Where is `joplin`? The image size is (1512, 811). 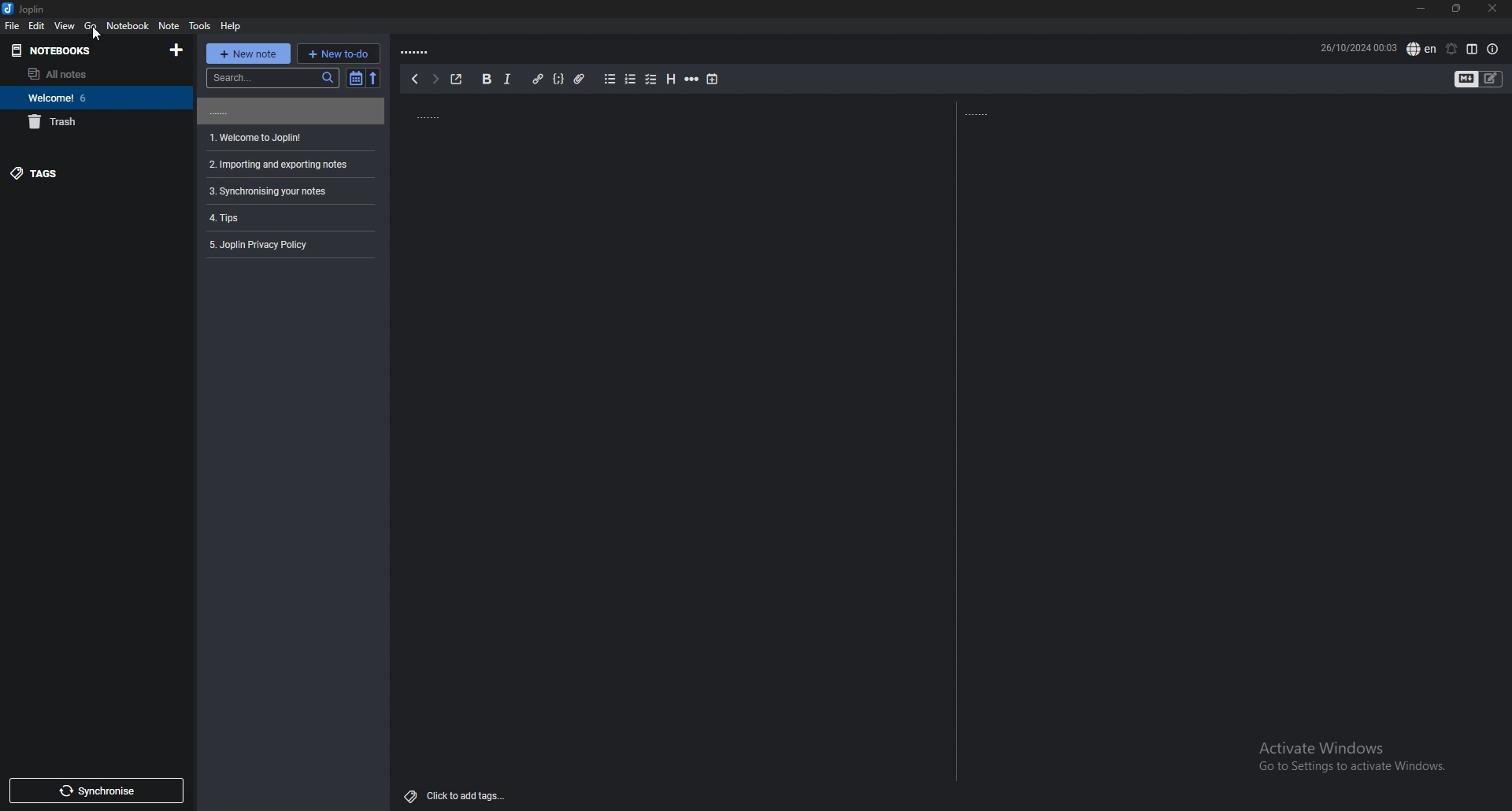
joplin is located at coordinates (28, 9).